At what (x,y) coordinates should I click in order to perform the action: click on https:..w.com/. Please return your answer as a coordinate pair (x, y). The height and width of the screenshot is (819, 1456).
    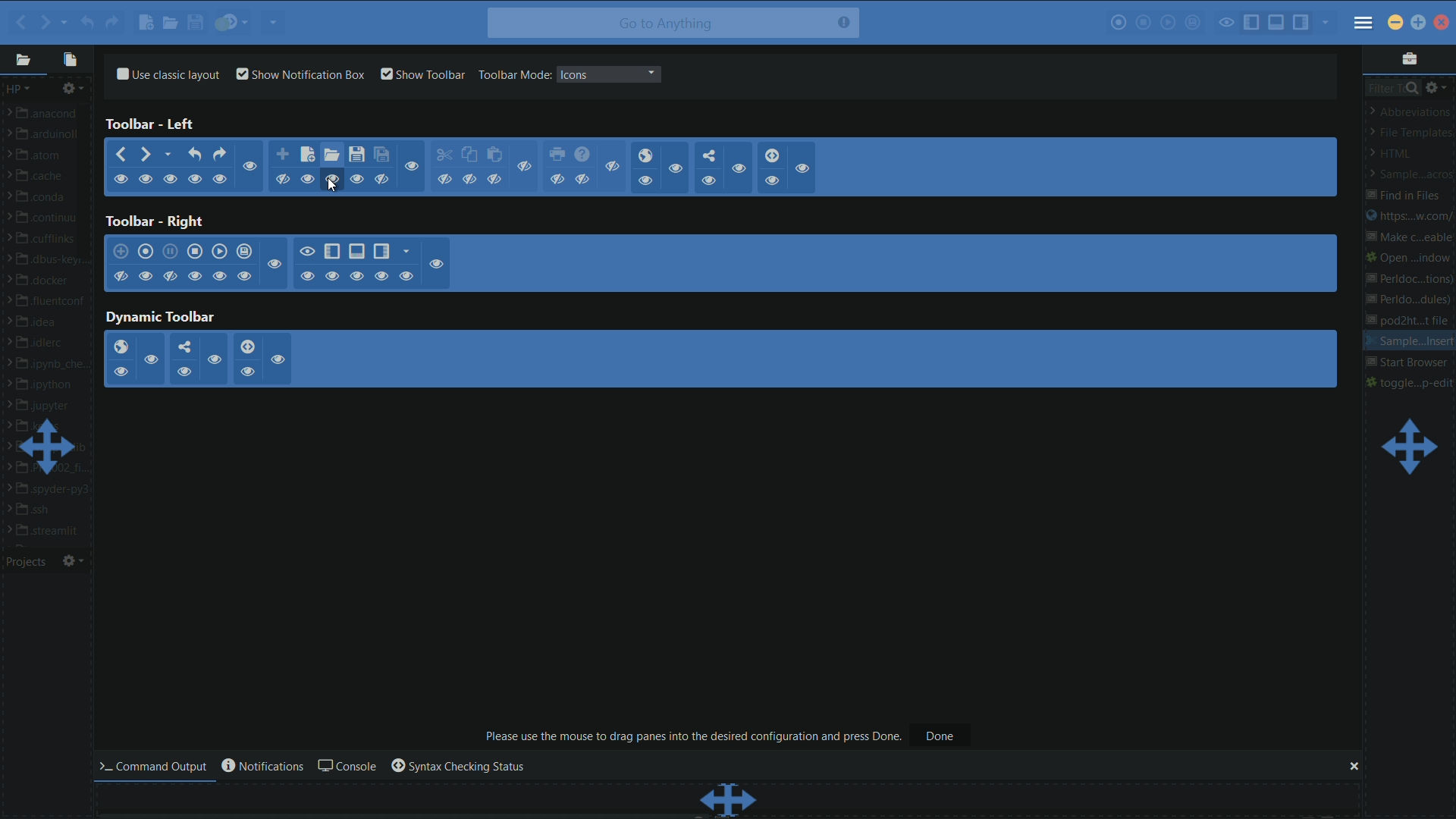
    Looking at the image, I should click on (1408, 218).